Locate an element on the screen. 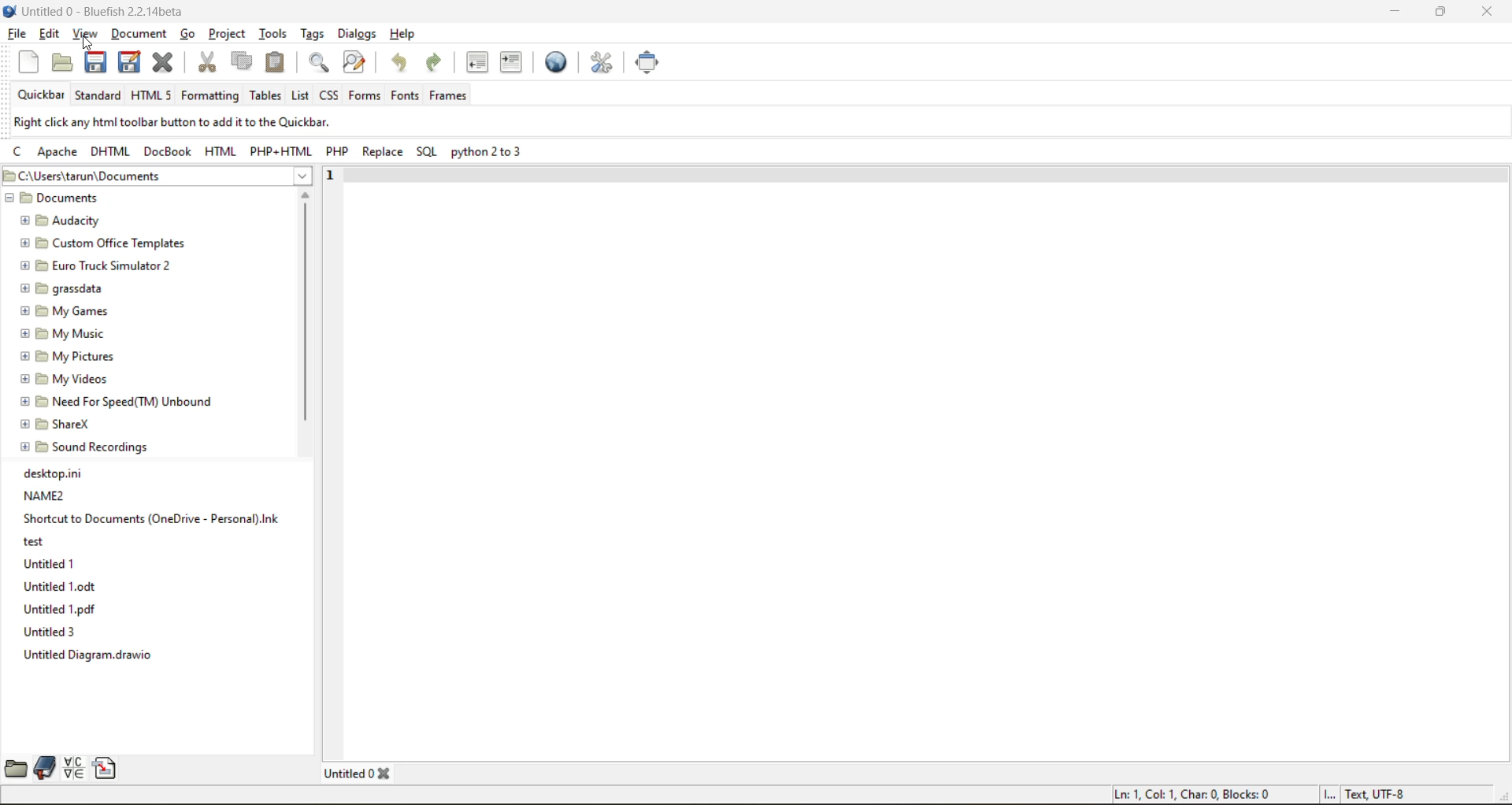 Image resolution: width=1512 pixels, height=805 pixels. show more is located at coordinates (302, 177).